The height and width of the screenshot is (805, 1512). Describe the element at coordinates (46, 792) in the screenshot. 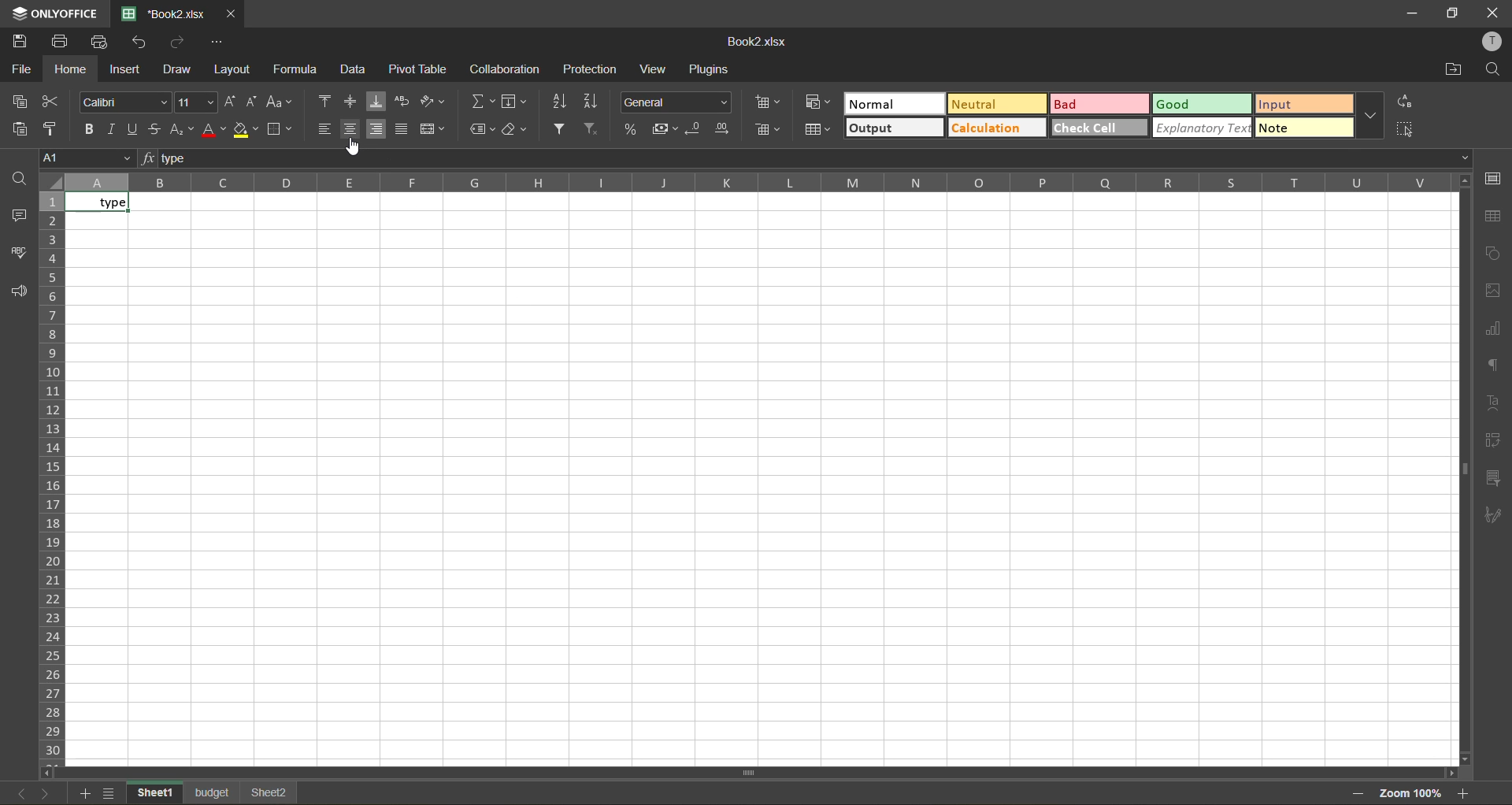

I see `next` at that location.